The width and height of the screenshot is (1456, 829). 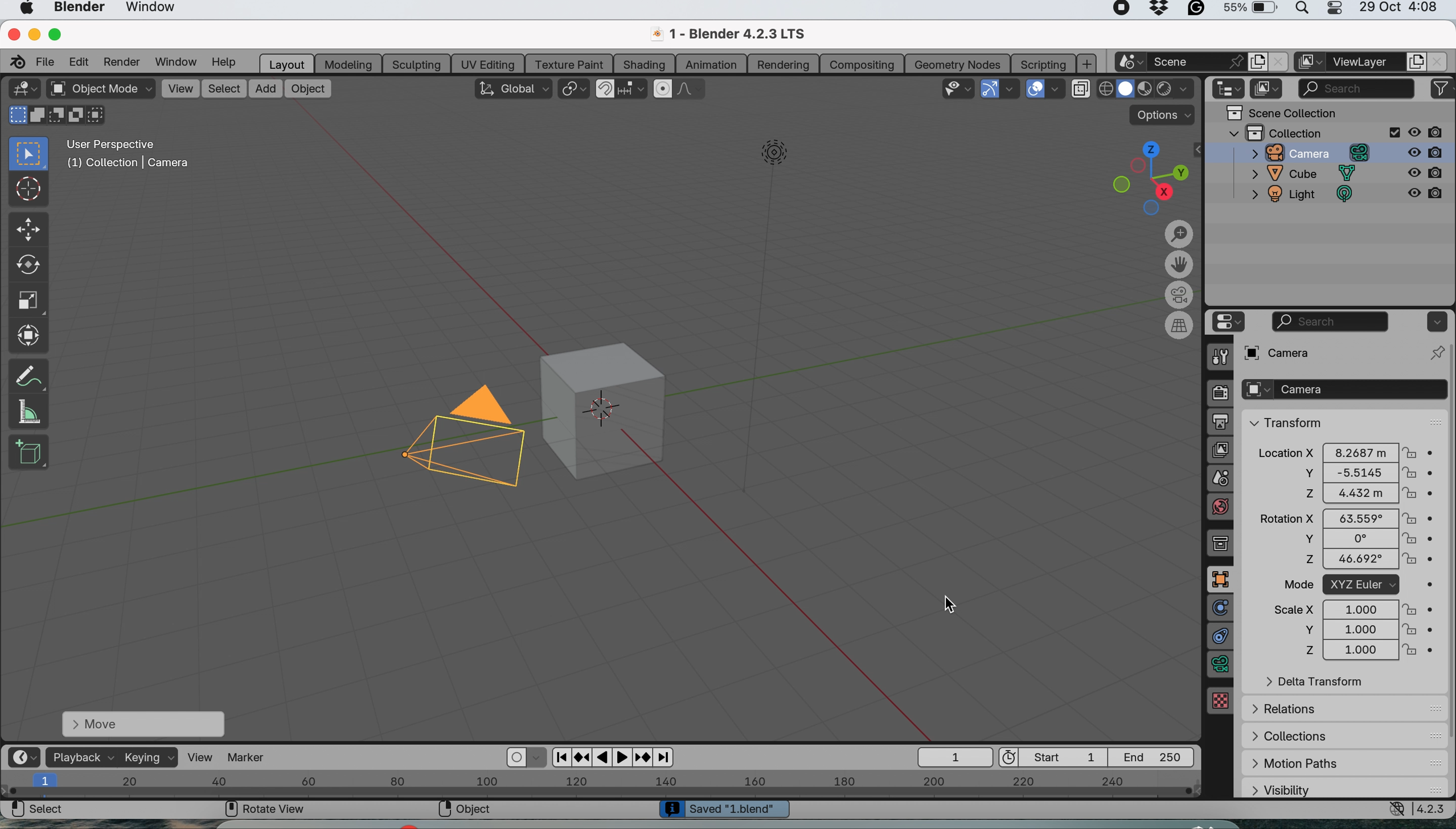 I want to click on editor type, so click(x=1230, y=89).